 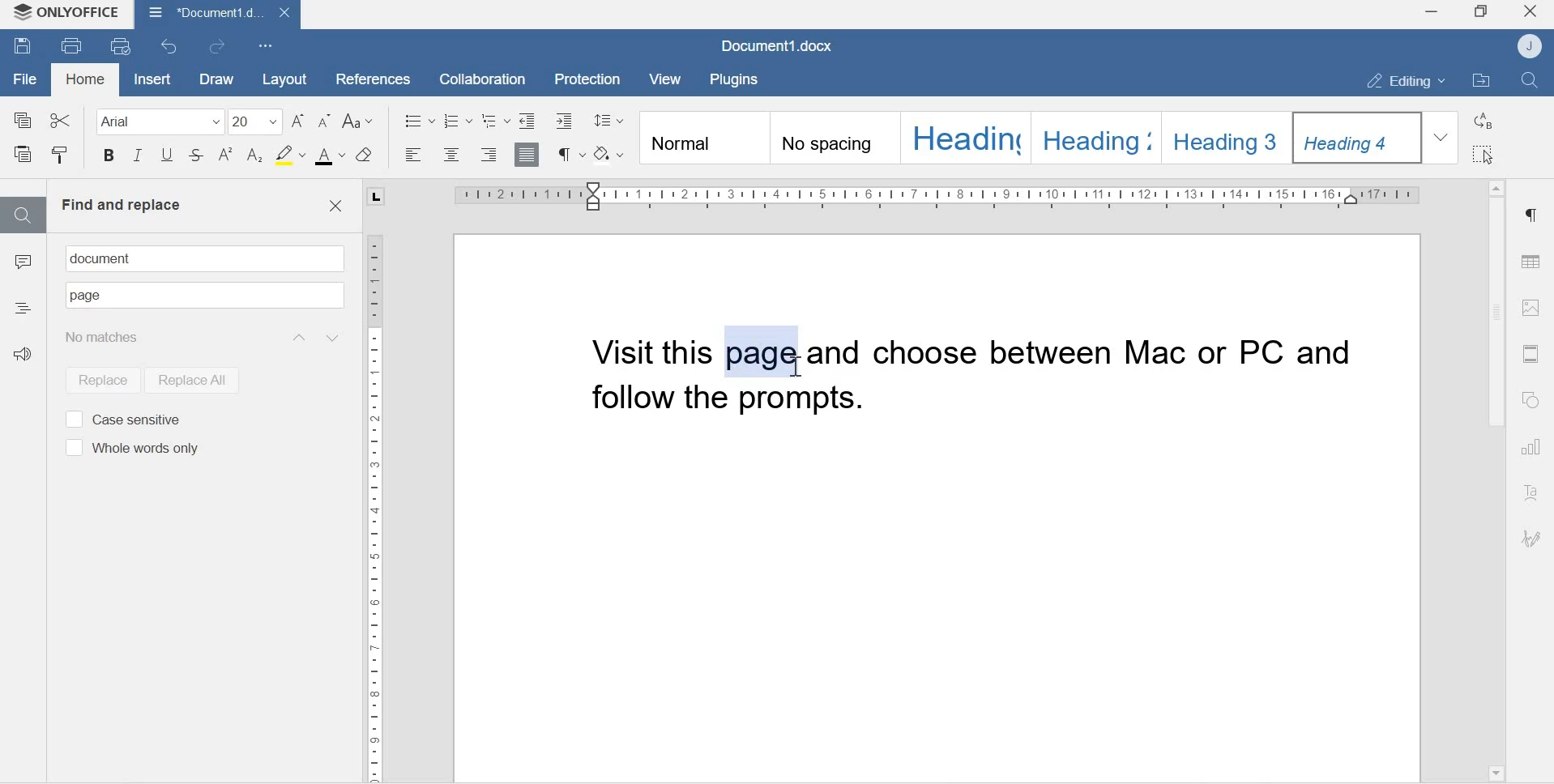 What do you see at coordinates (128, 336) in the screenshot?
I see `Search results: 1/1` at bounding box center [128, 336].